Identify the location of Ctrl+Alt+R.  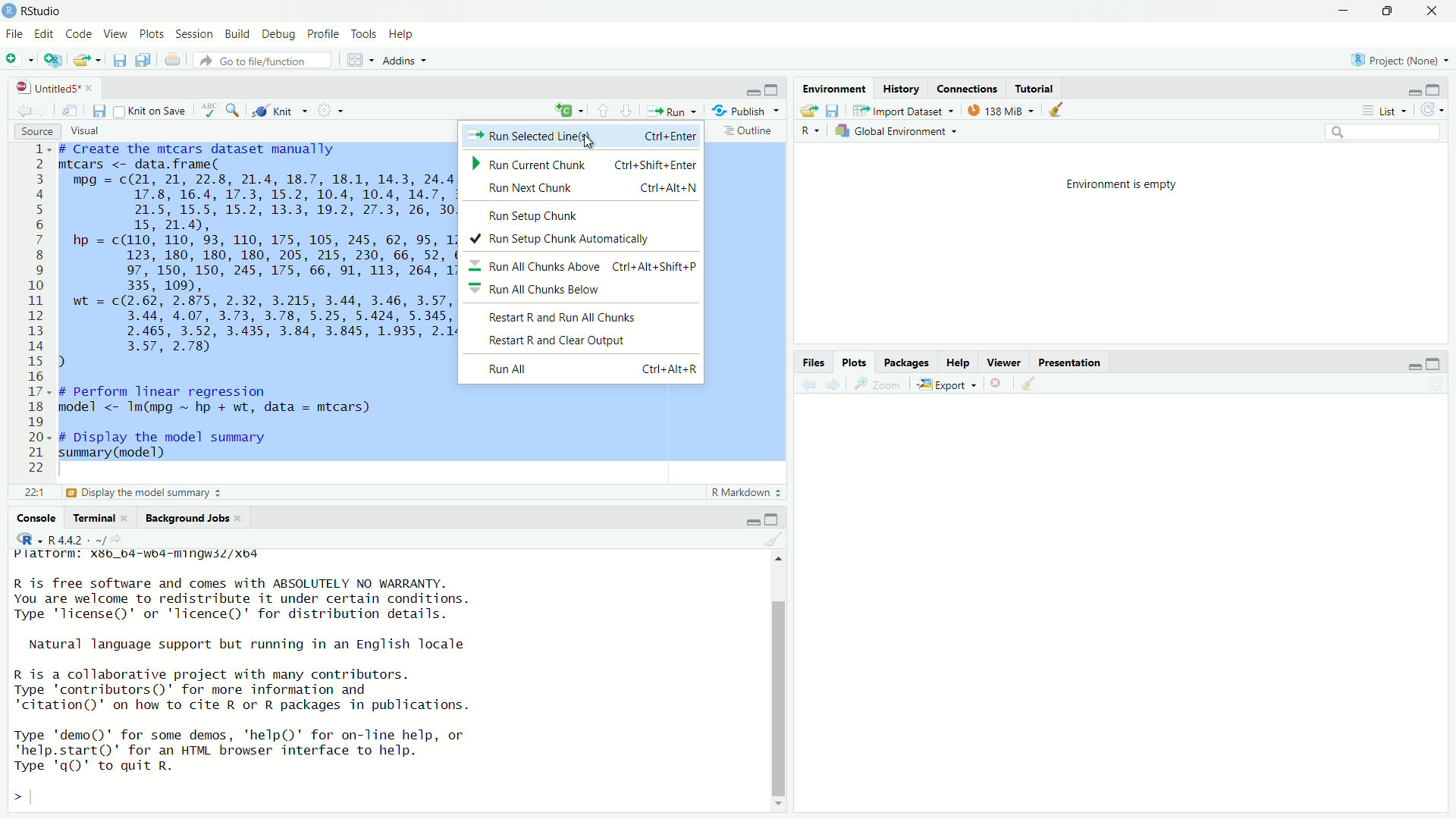
(667, 369).